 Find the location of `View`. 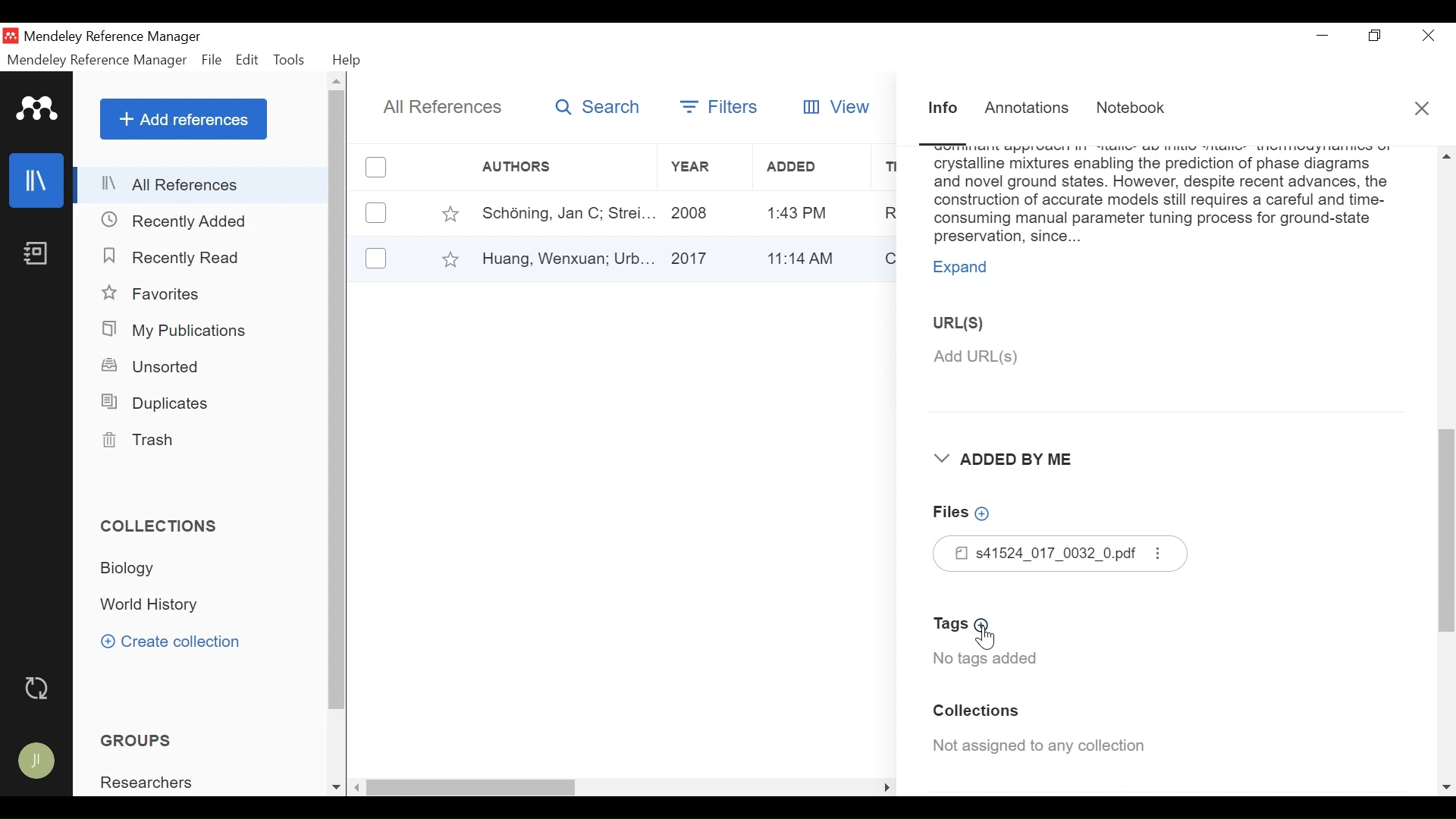

View is located at coordinates (838, 105).